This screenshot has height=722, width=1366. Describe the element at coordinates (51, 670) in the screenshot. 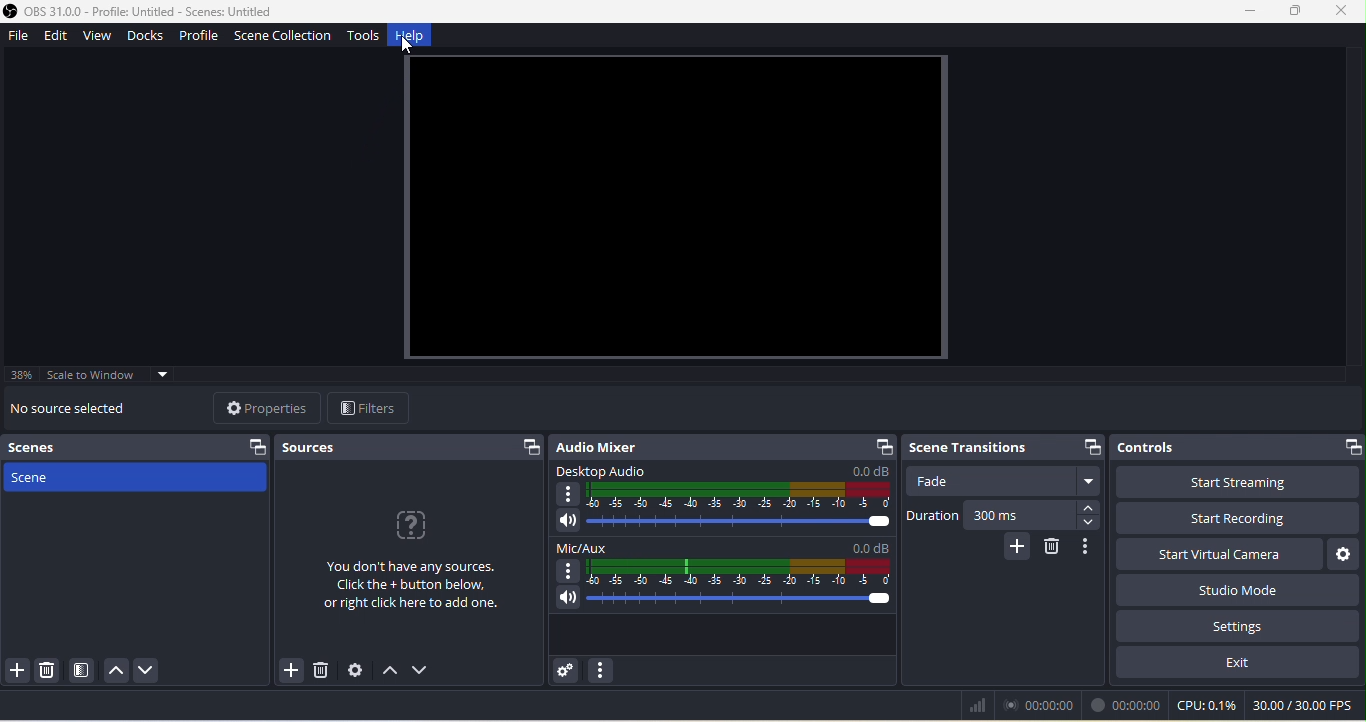

I see `remove selected scene` at that location.